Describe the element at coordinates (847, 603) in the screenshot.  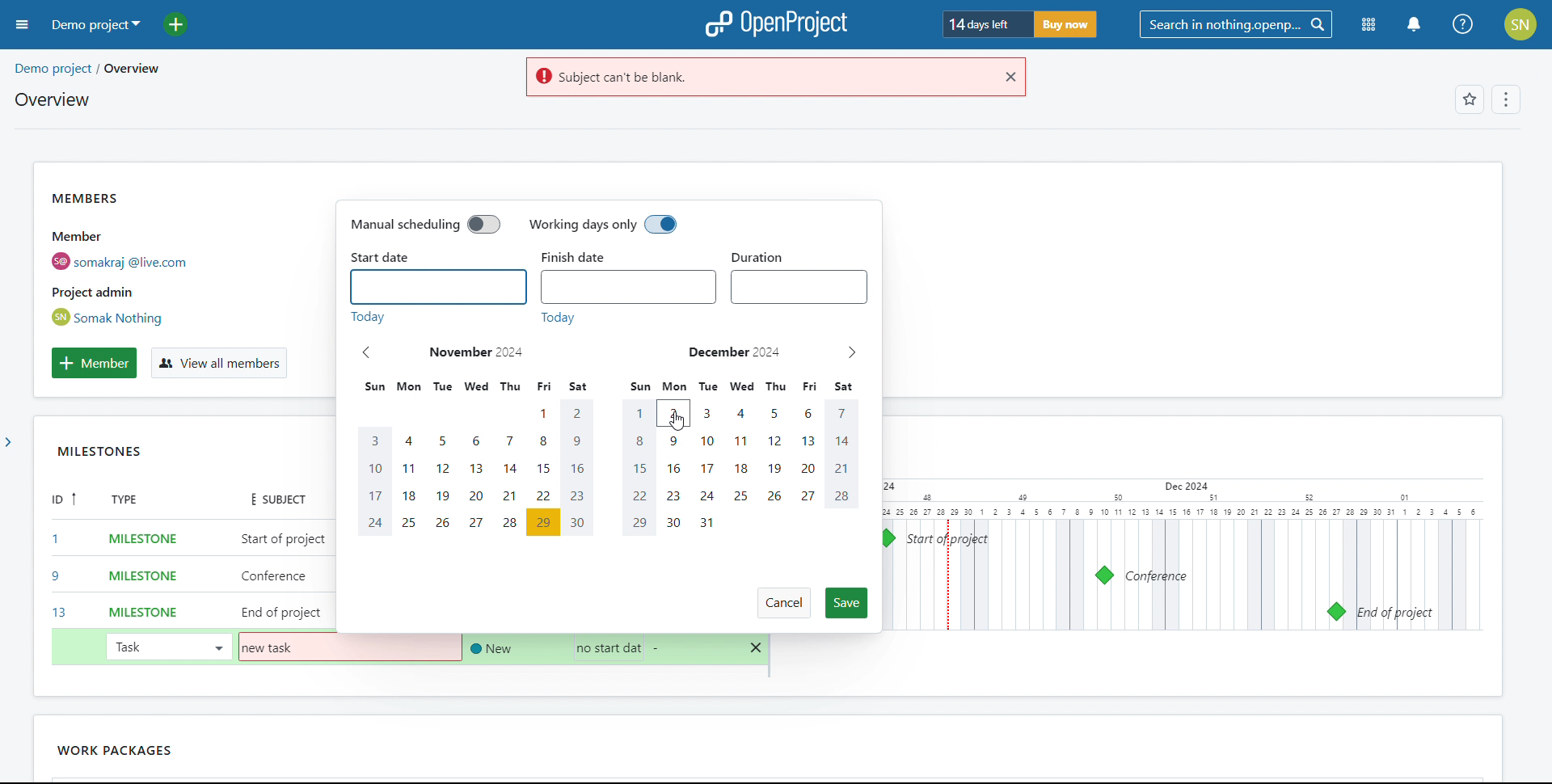
I see `save` at that location.